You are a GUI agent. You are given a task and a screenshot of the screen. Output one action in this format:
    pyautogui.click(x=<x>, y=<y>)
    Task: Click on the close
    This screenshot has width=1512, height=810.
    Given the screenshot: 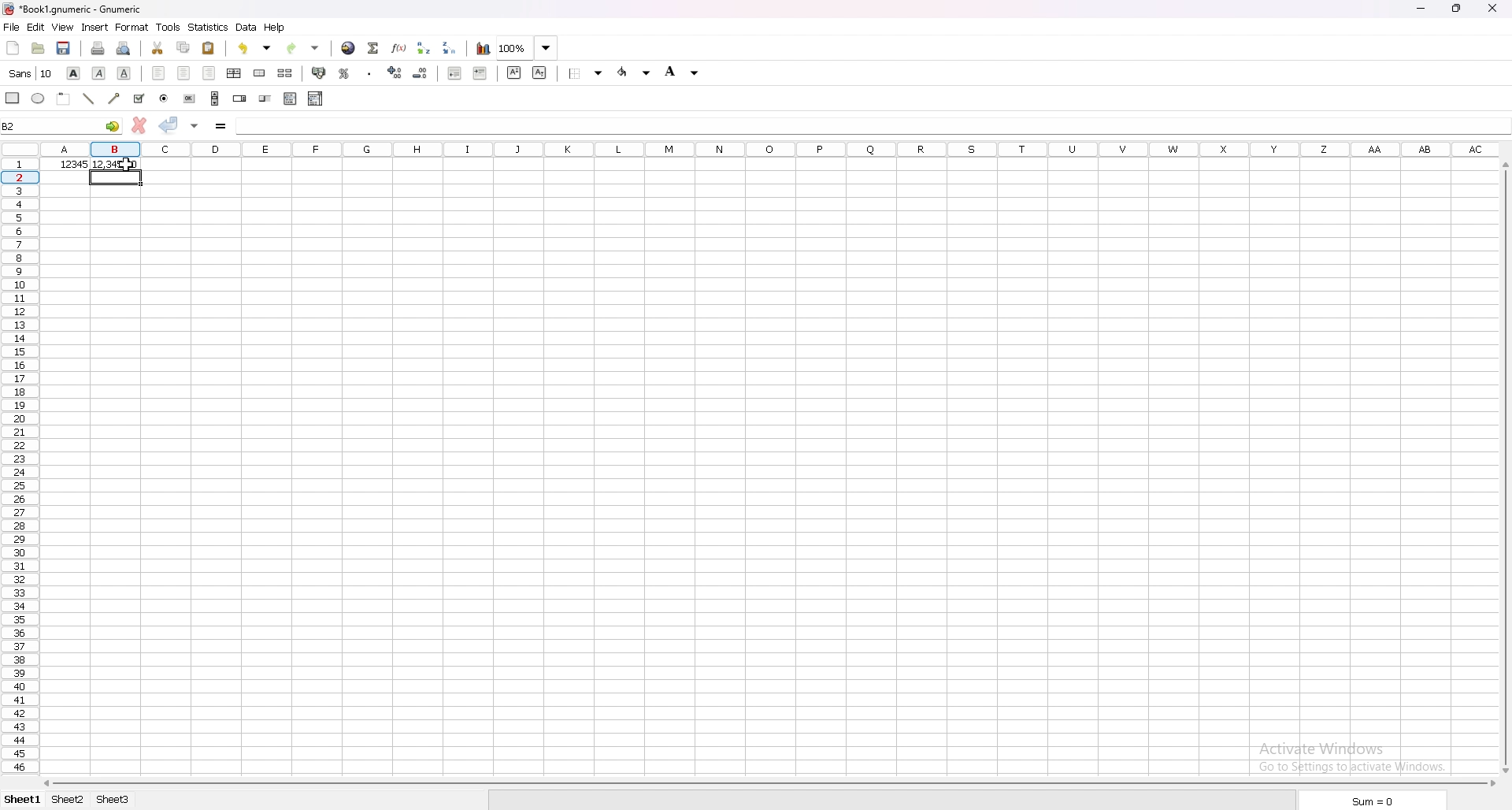 What is the action you would take?
    pyautogui.click(x=1493, y=9)
    